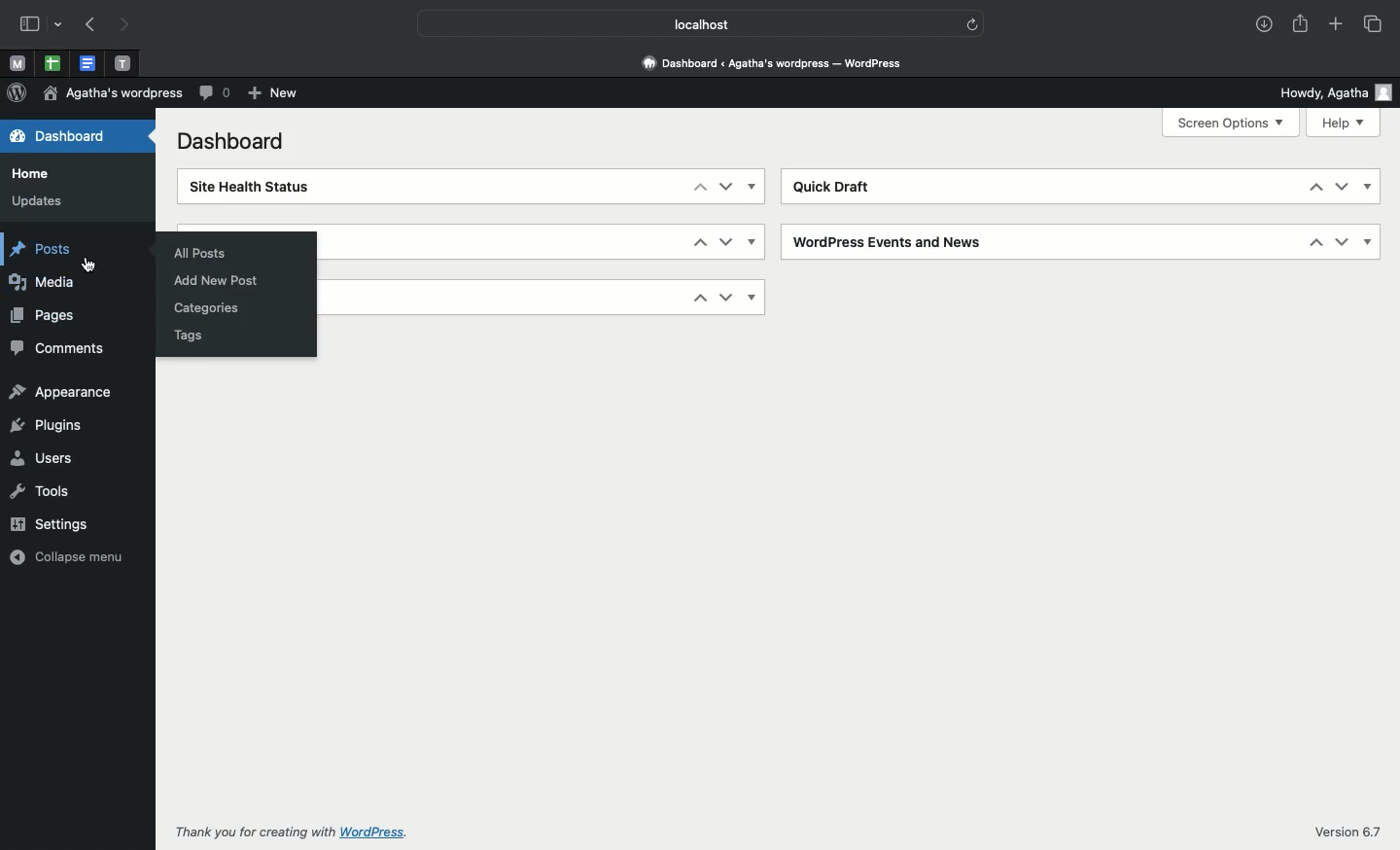 This screenshot has height=850, width=1400. Describe the element at coordinates (892, 242) in the screenshot. I see `Wordpress events and news` at that location.